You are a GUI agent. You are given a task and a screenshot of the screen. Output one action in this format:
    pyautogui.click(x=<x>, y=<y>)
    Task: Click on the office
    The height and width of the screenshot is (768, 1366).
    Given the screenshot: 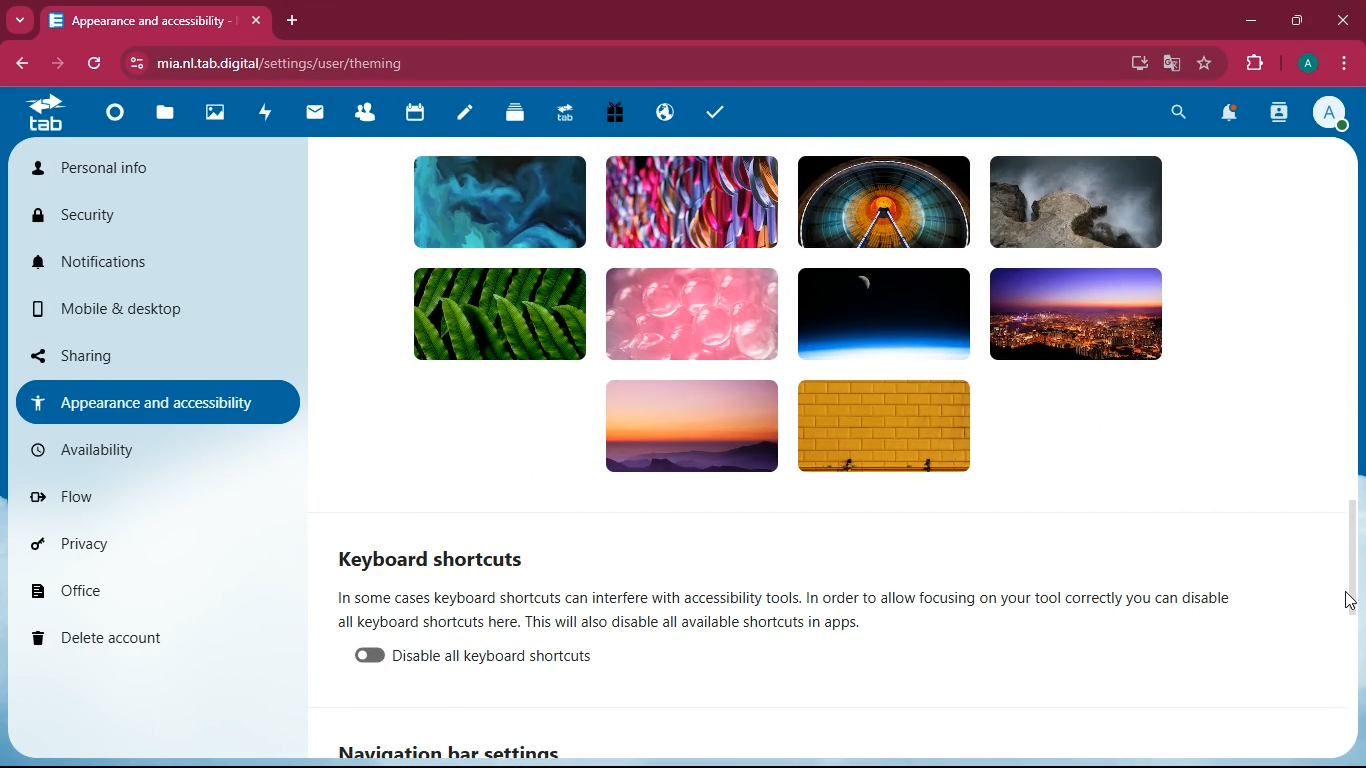 What is the action you would take?
    pyautogui.click(x=167, y=593)
    